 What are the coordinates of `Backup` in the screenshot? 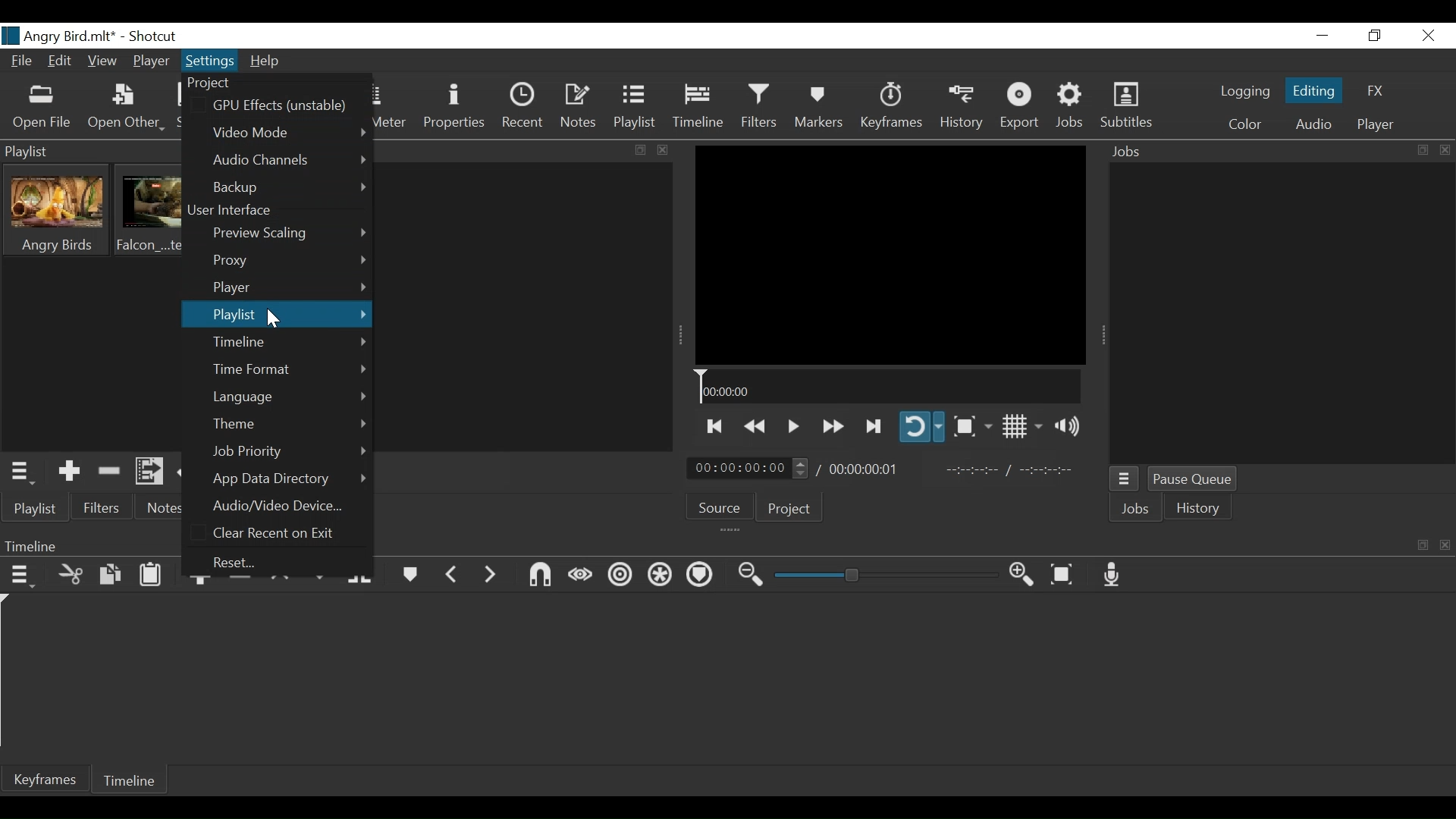 It's located at (292, 188).